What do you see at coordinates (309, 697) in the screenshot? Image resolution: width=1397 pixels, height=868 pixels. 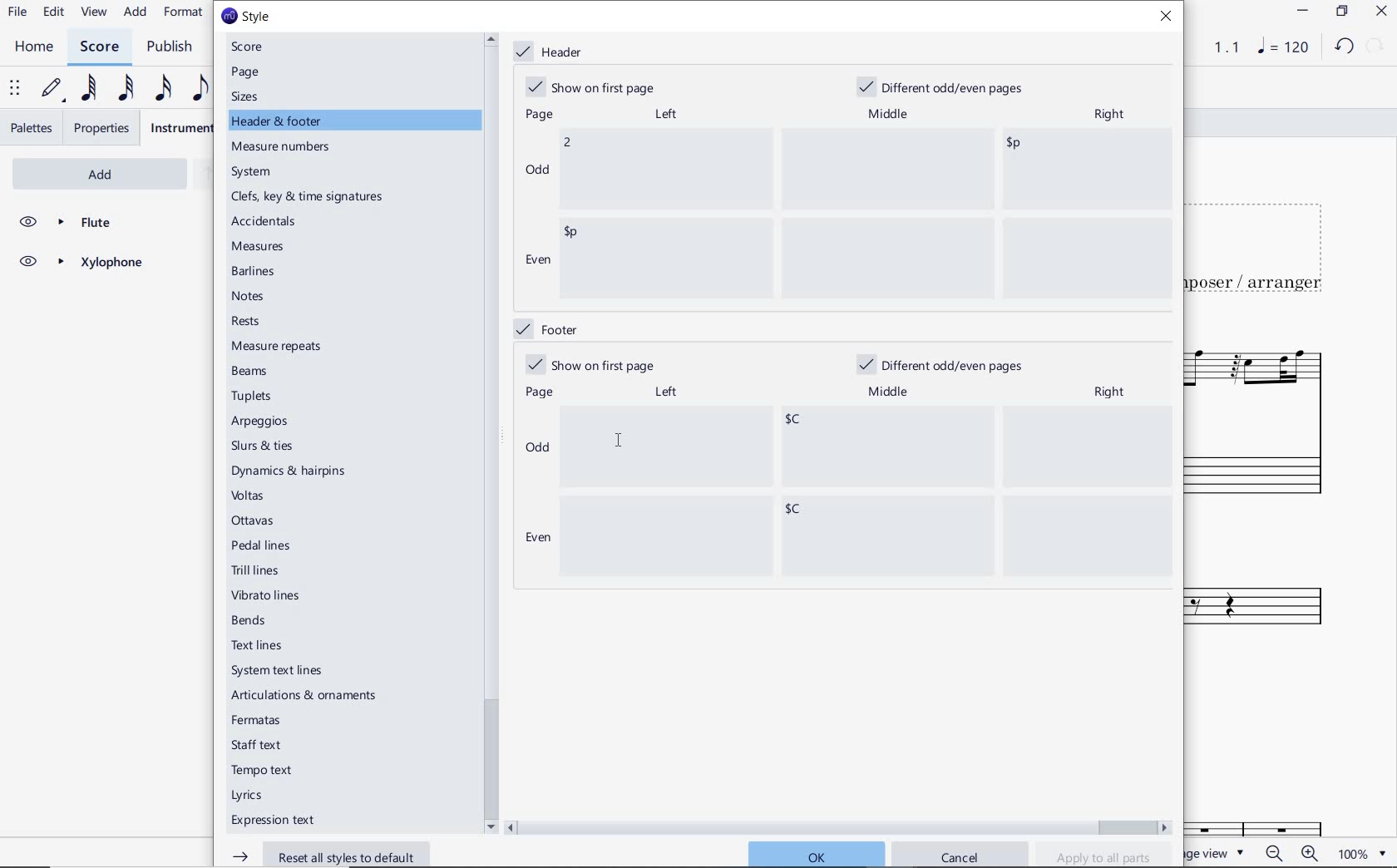 I see `articulations & ornaments` at bounding box center [309, 697].